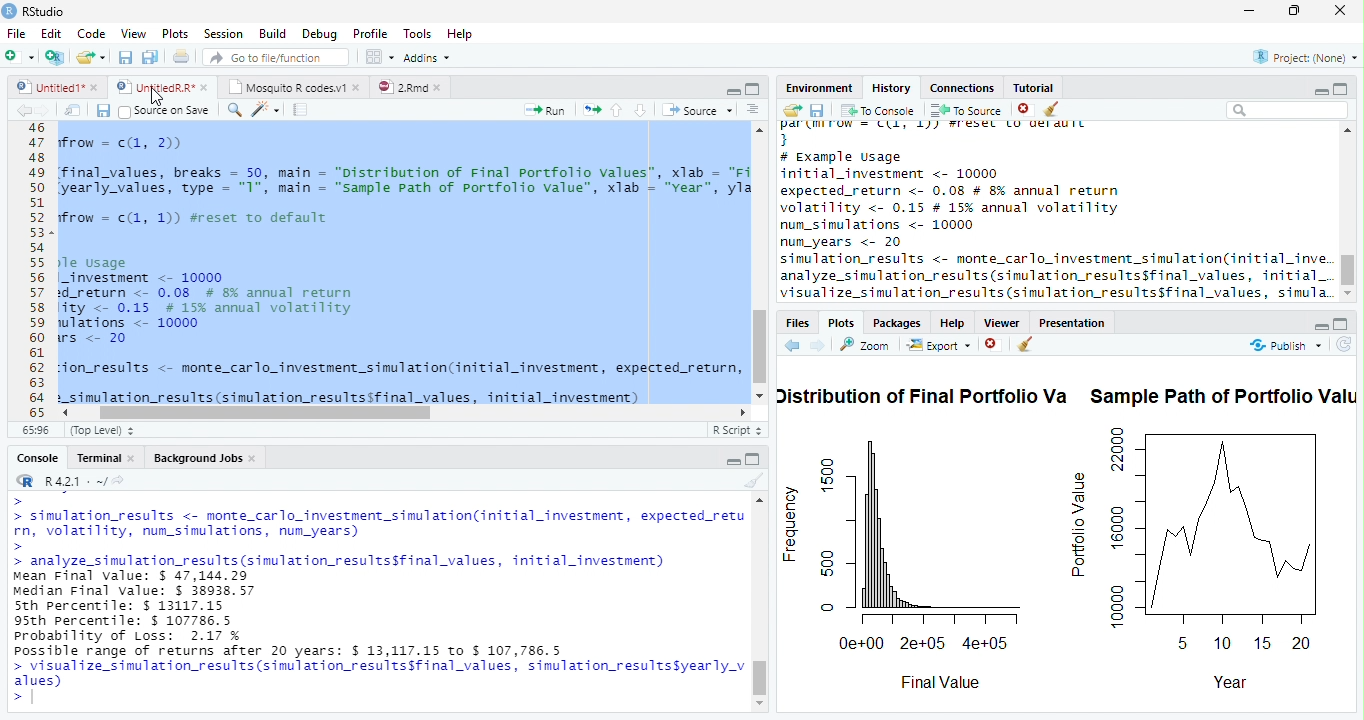  I want to click on Hide, so click(1319, 324).